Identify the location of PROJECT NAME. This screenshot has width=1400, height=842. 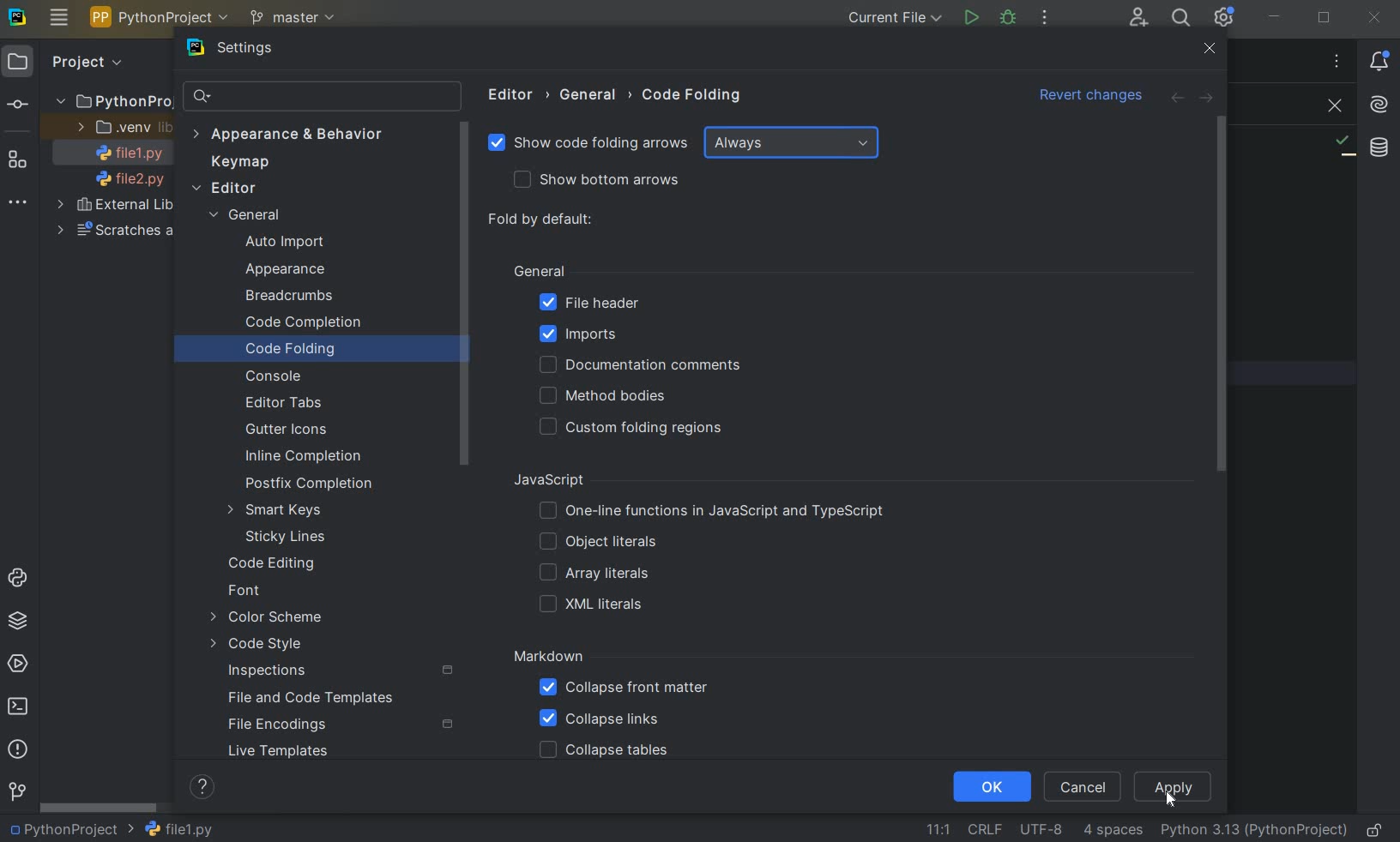
(70, 830).